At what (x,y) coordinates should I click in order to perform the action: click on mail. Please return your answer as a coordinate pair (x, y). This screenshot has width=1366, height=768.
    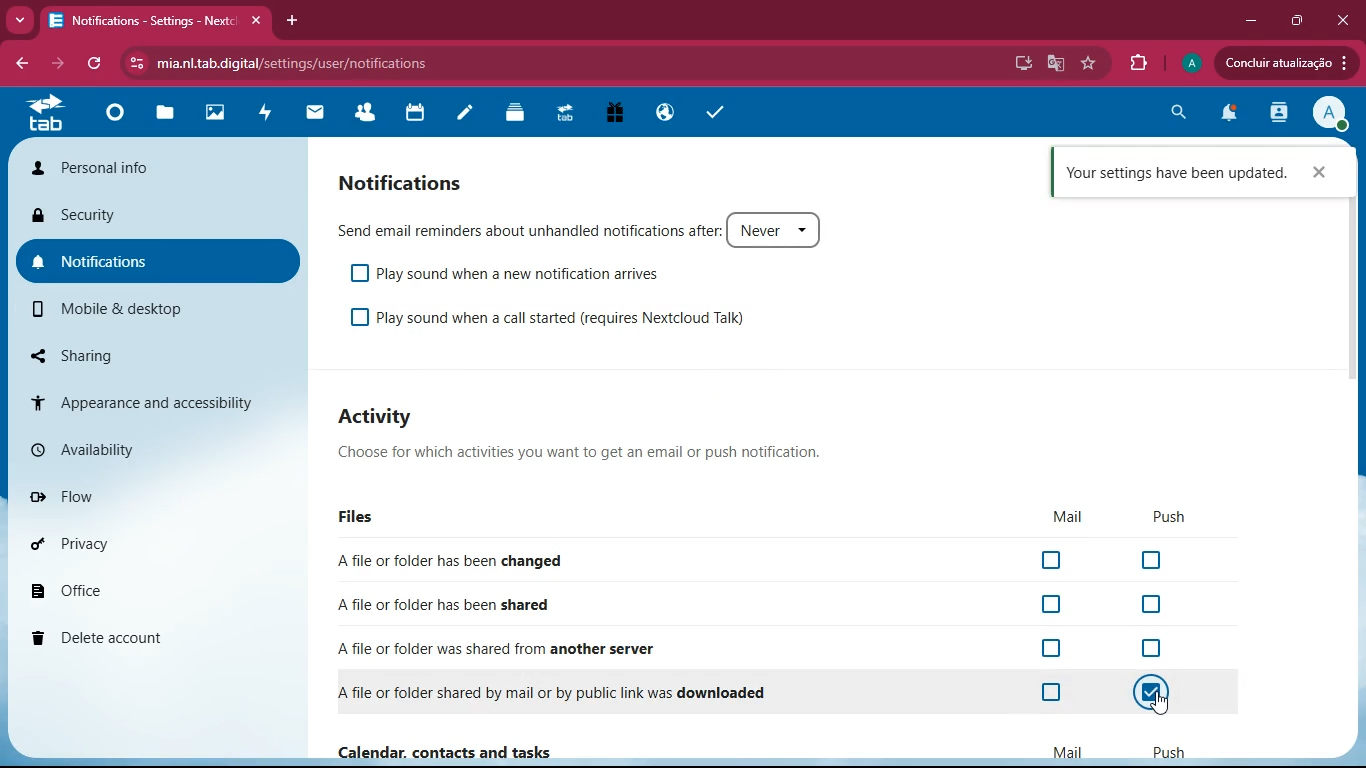
    Looking at the image, I should click on (1076, 517).